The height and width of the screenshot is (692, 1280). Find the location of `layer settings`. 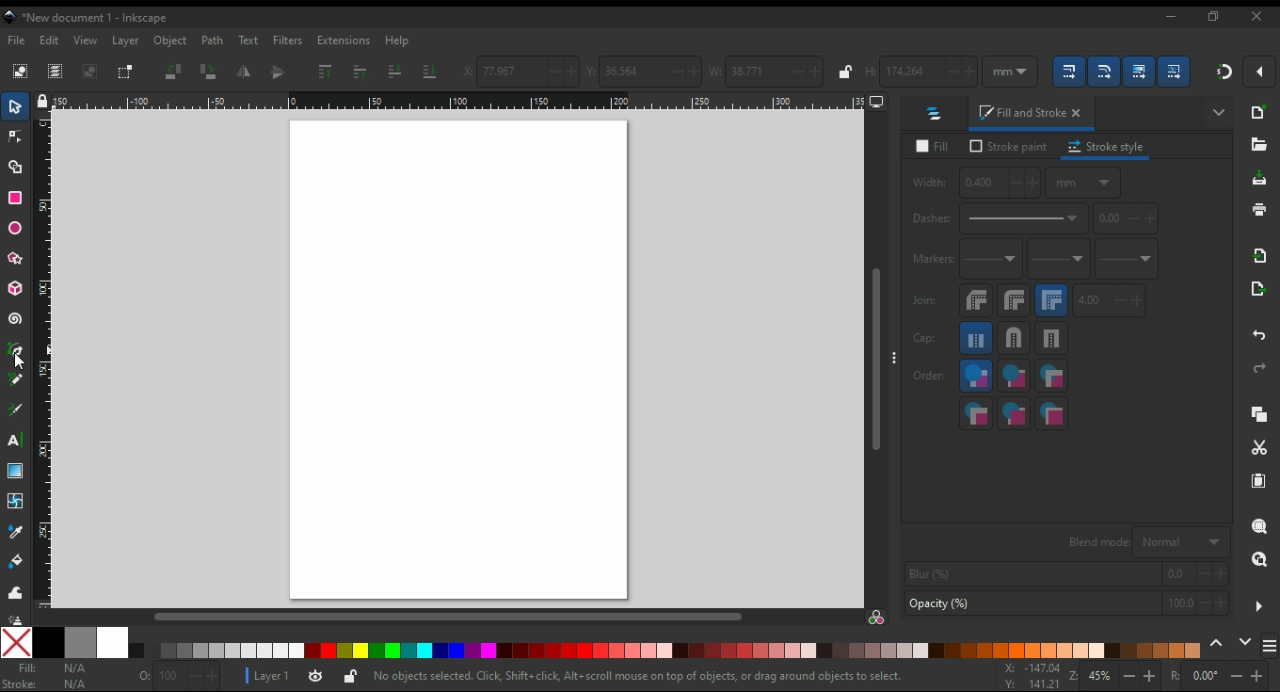

layer settings is located at coordinates (300, 676).